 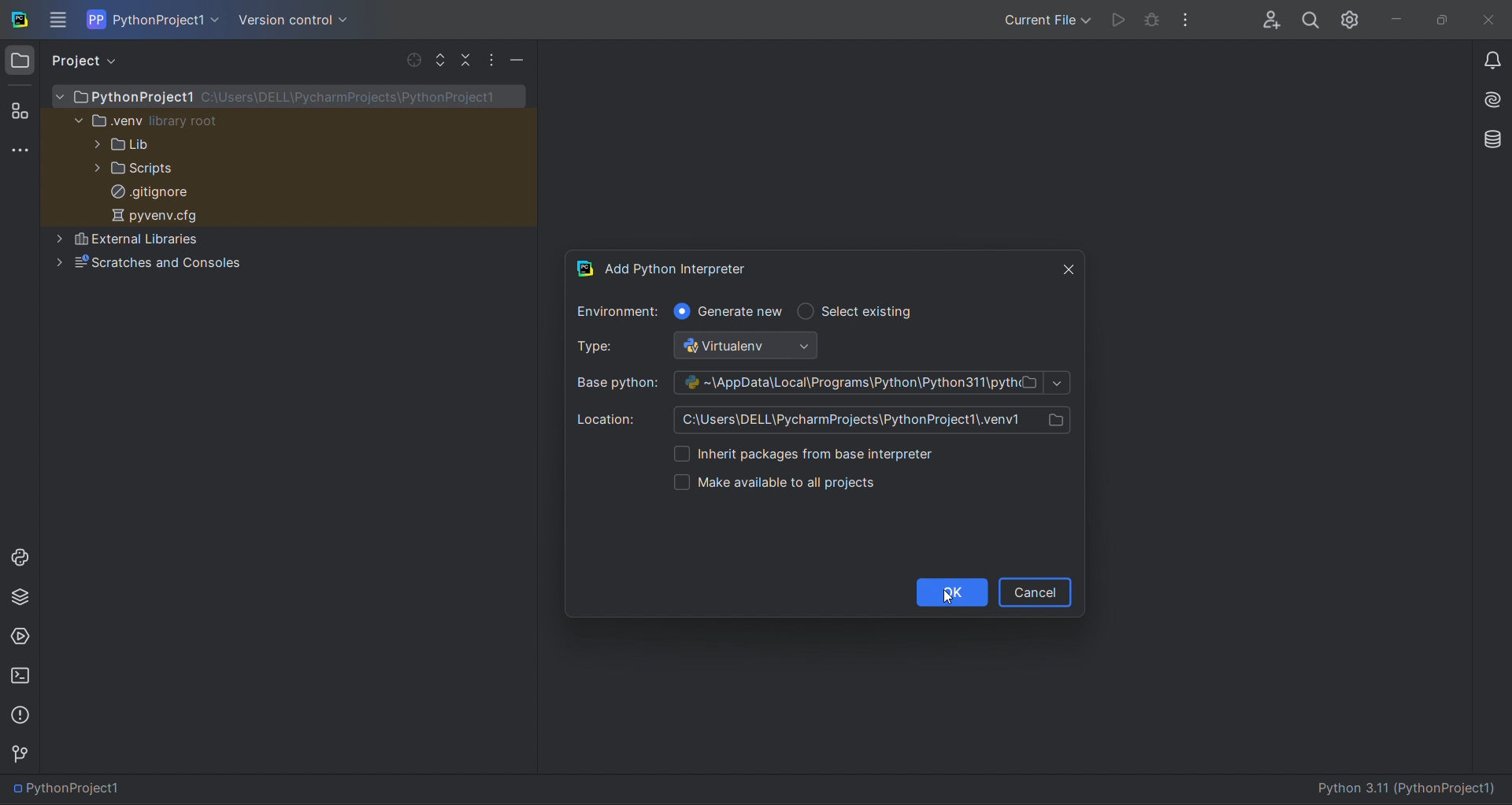 I want to click on more actions, so click(x=1191, y=18).